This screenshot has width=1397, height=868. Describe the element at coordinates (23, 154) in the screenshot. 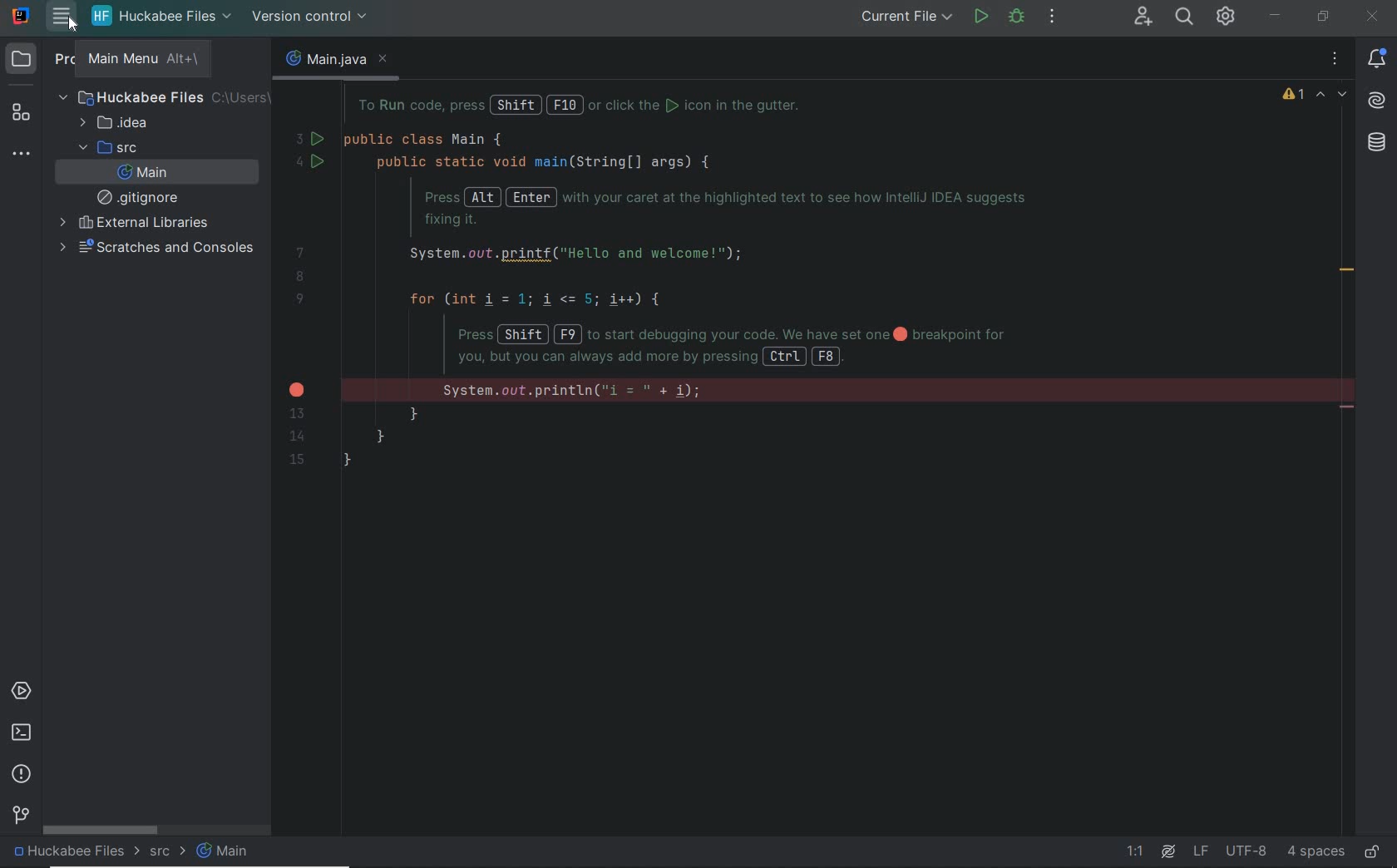

I see `more tool windows` at that location.